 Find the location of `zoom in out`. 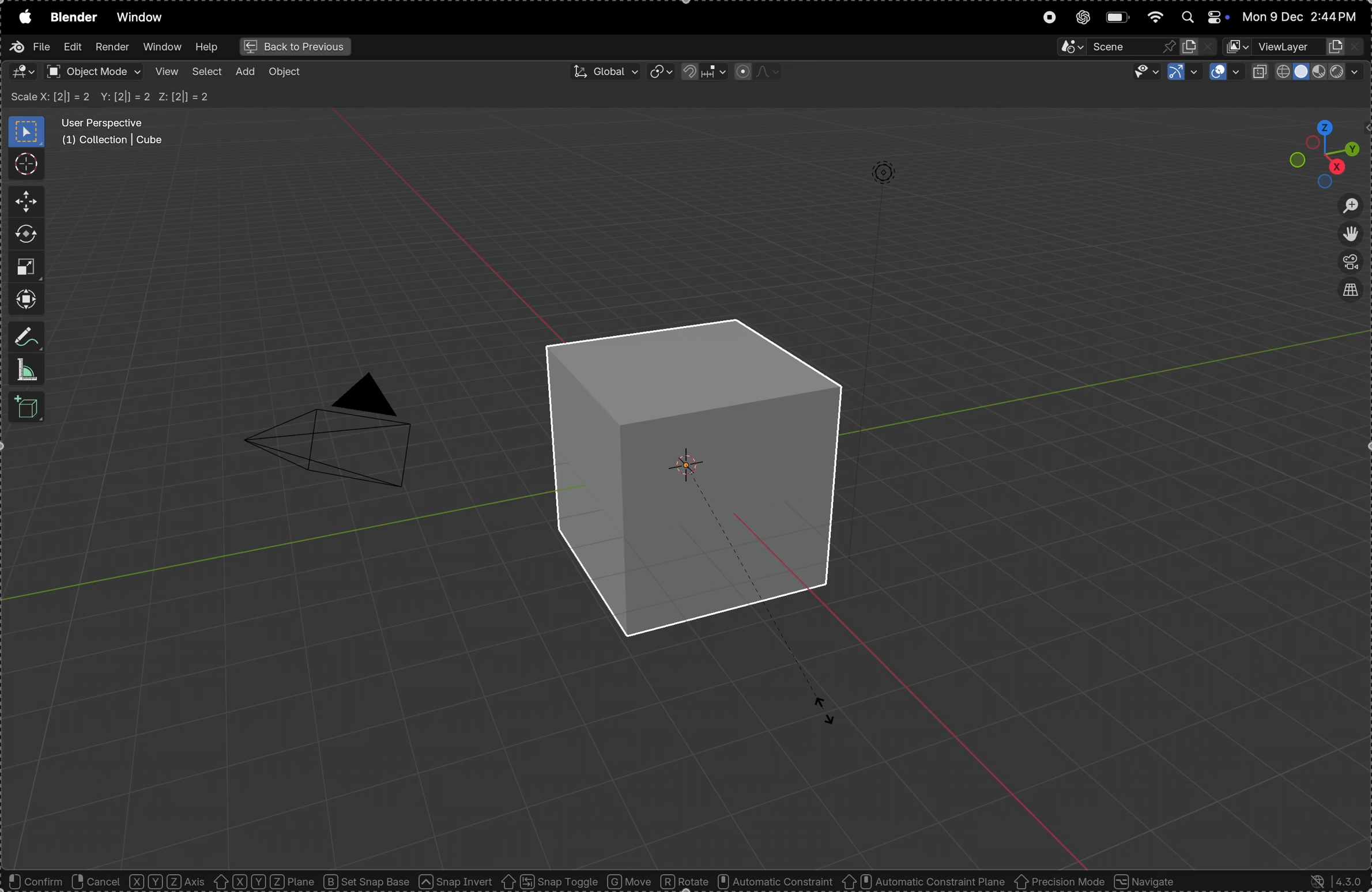

zoom in out is located at coordinates (1350, 205).